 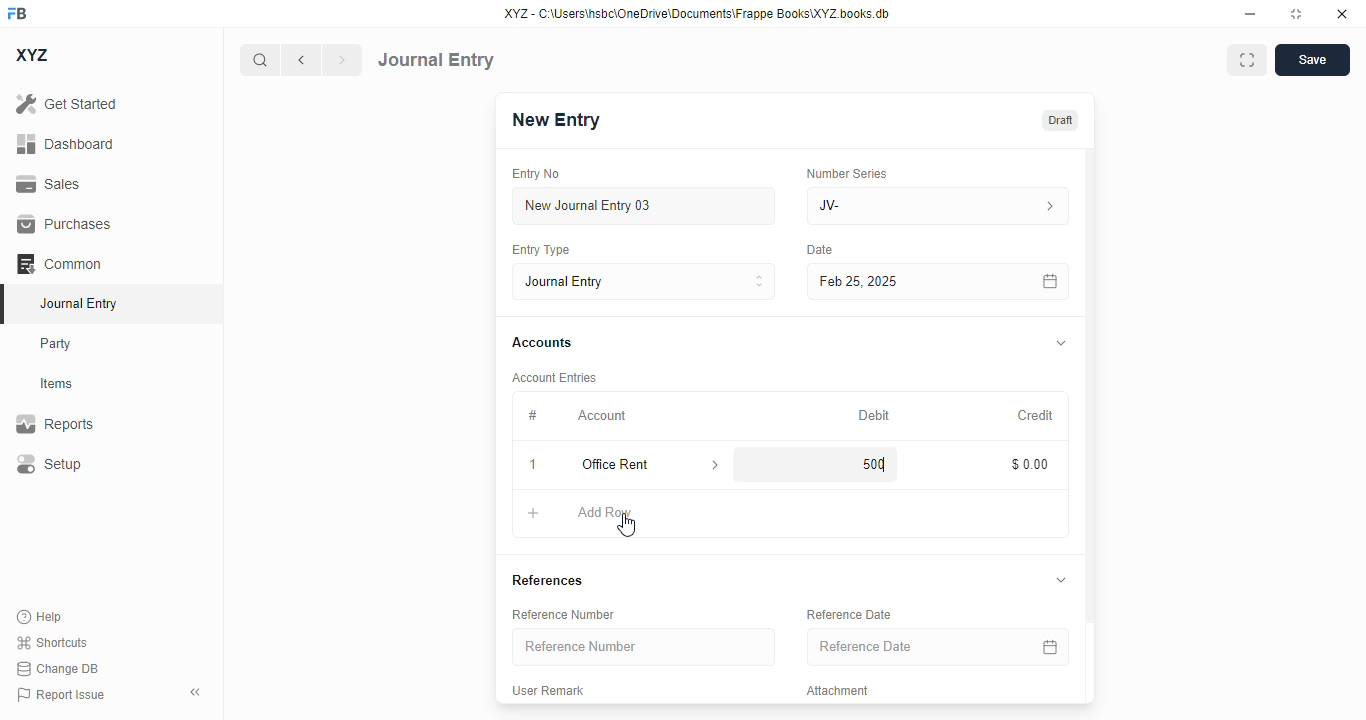 What do you see at coordinates (642, 206) in the screenshot?
I see `new journal entry 03` at bounding box center [642, 206].